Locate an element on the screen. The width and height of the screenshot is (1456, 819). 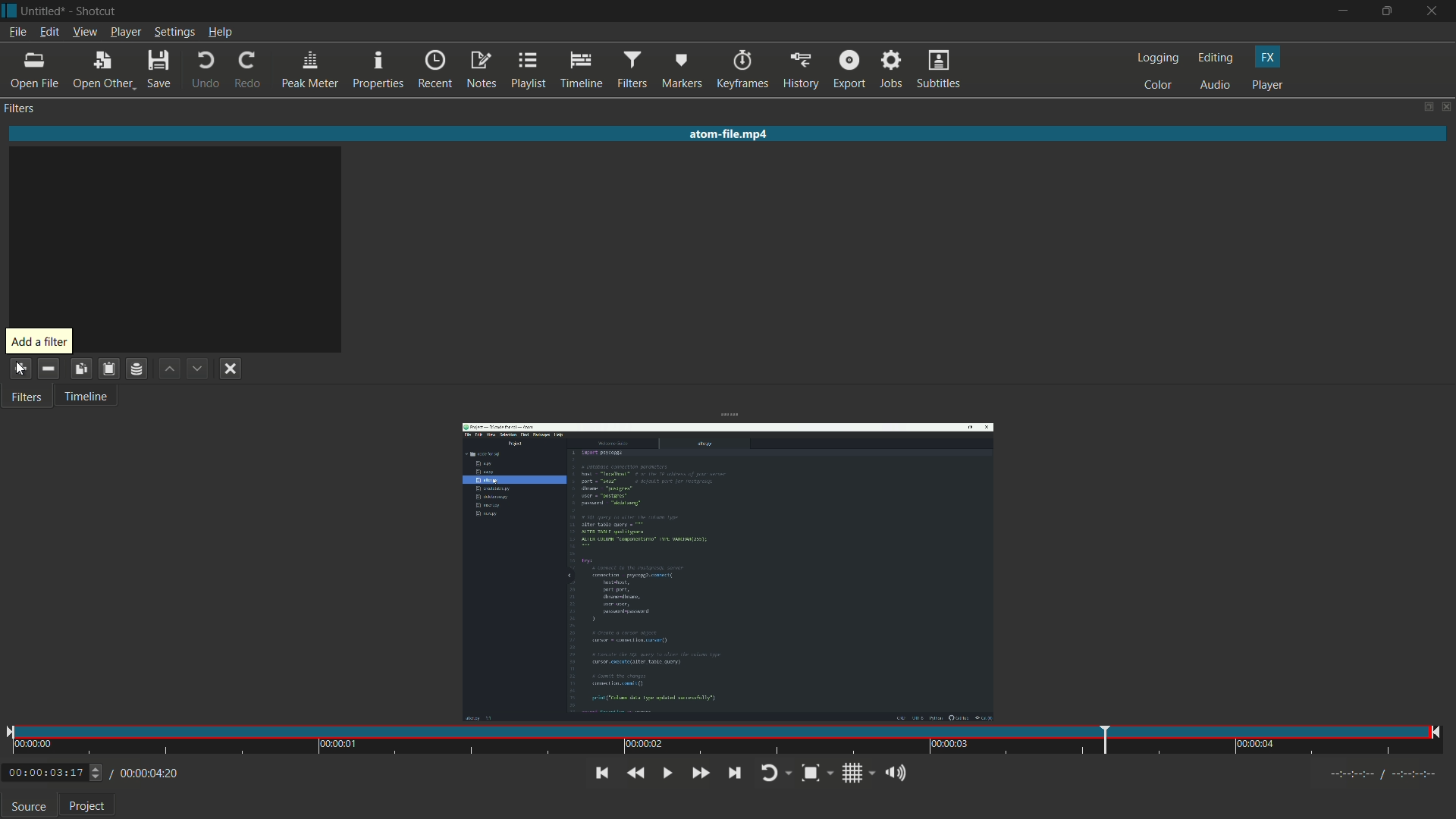
close panel is located at coordinates (1445, 106).